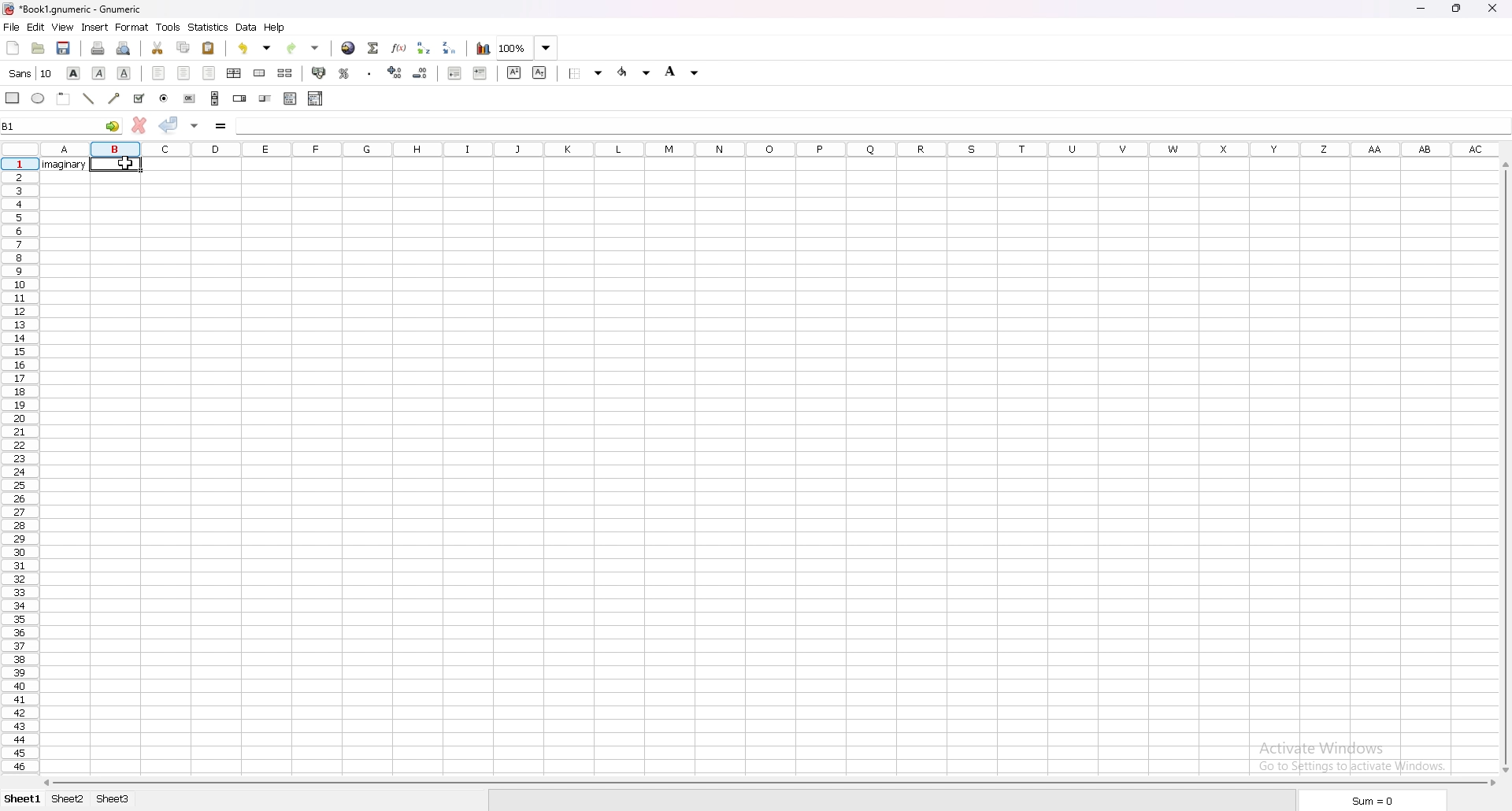  What do you see at coordinates (113, 800) in the screenshot?
I see `sheet 3` at bounding box center [113, 800].